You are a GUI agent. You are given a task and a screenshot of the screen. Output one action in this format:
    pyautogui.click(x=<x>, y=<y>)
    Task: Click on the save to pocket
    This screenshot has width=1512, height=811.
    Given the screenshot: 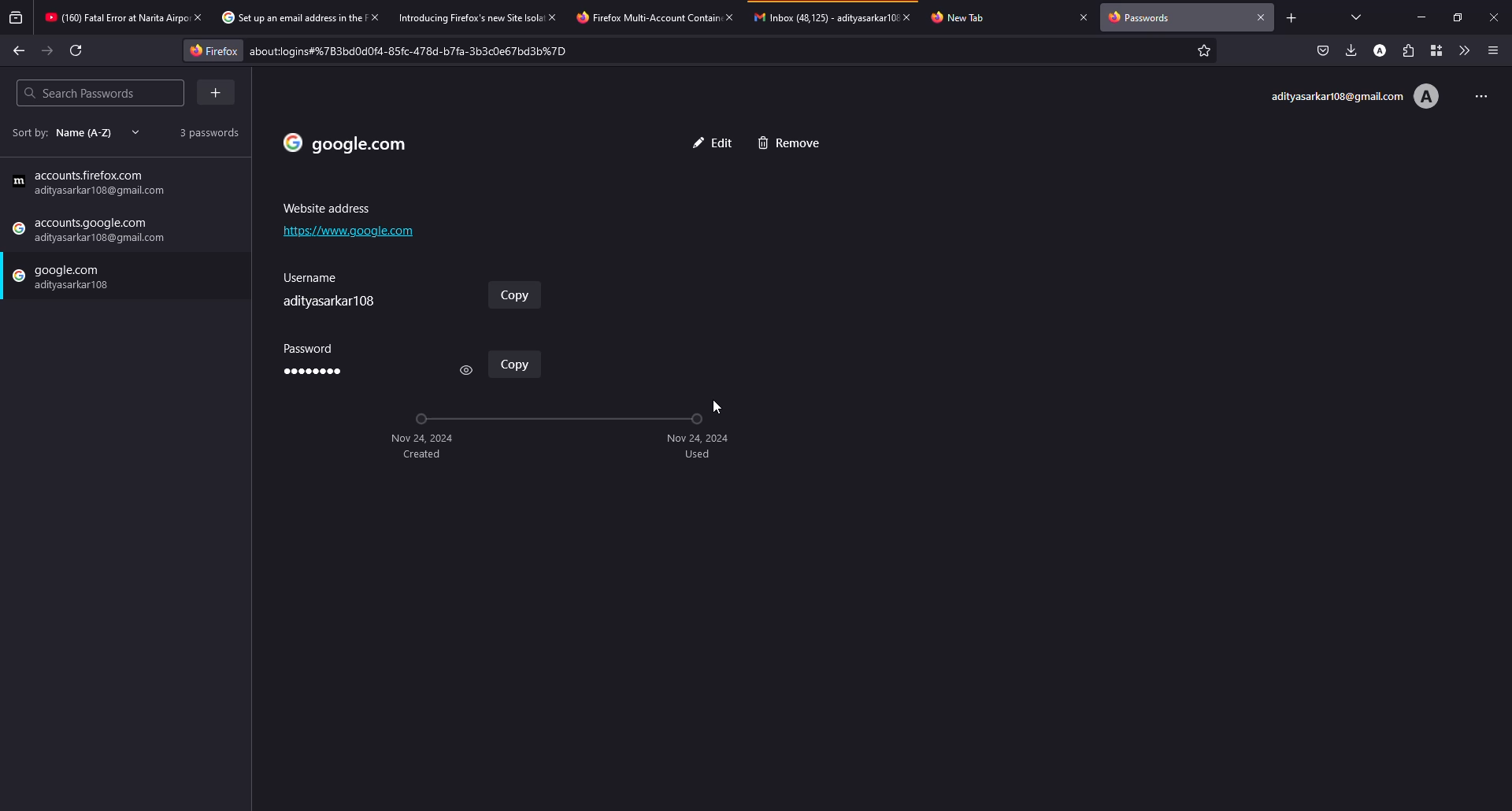 What is the action you would take?
    pyautogui.click(x=1323, y=50)
    